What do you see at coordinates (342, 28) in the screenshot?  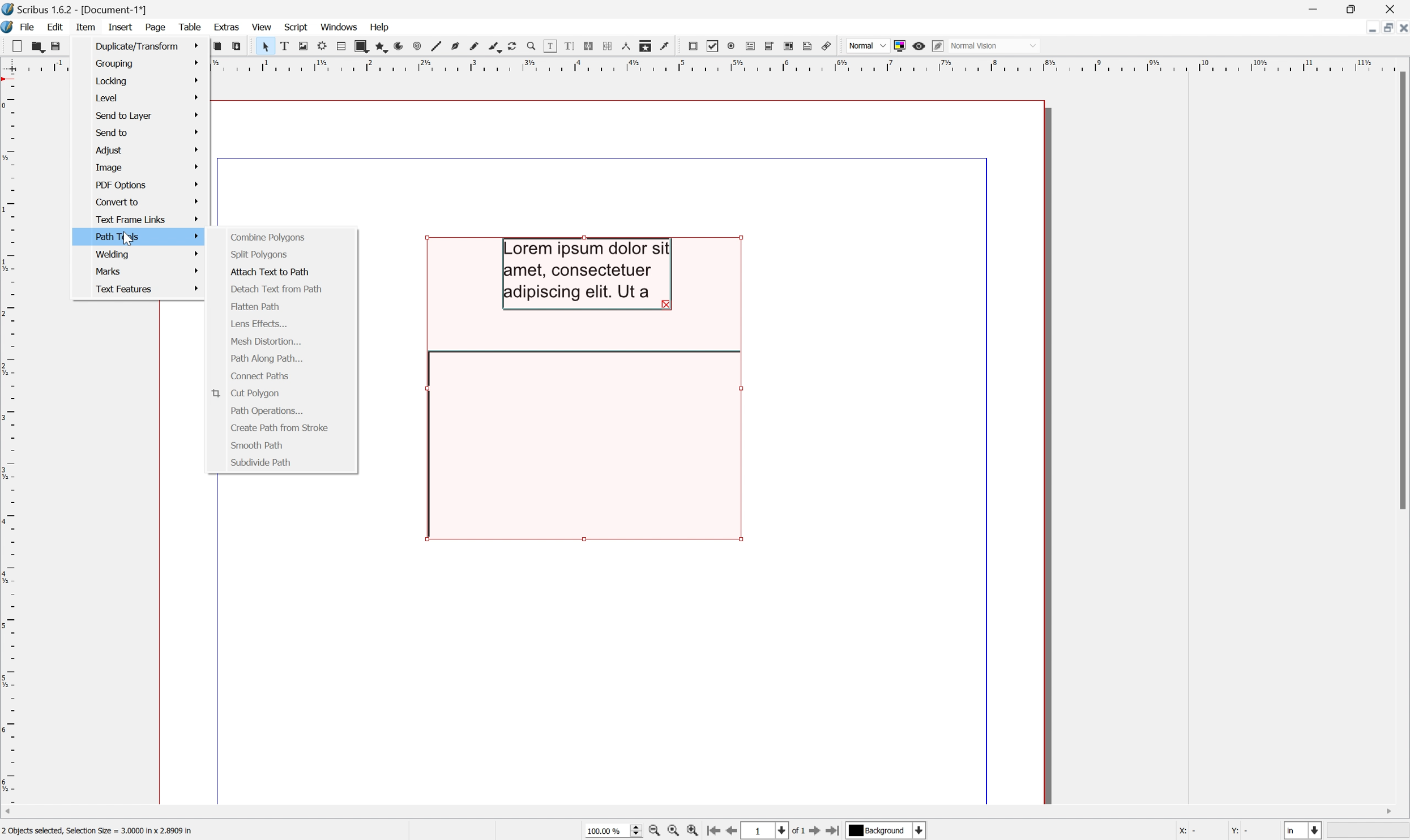 I see `Windows` at bounding box center [342, 28].